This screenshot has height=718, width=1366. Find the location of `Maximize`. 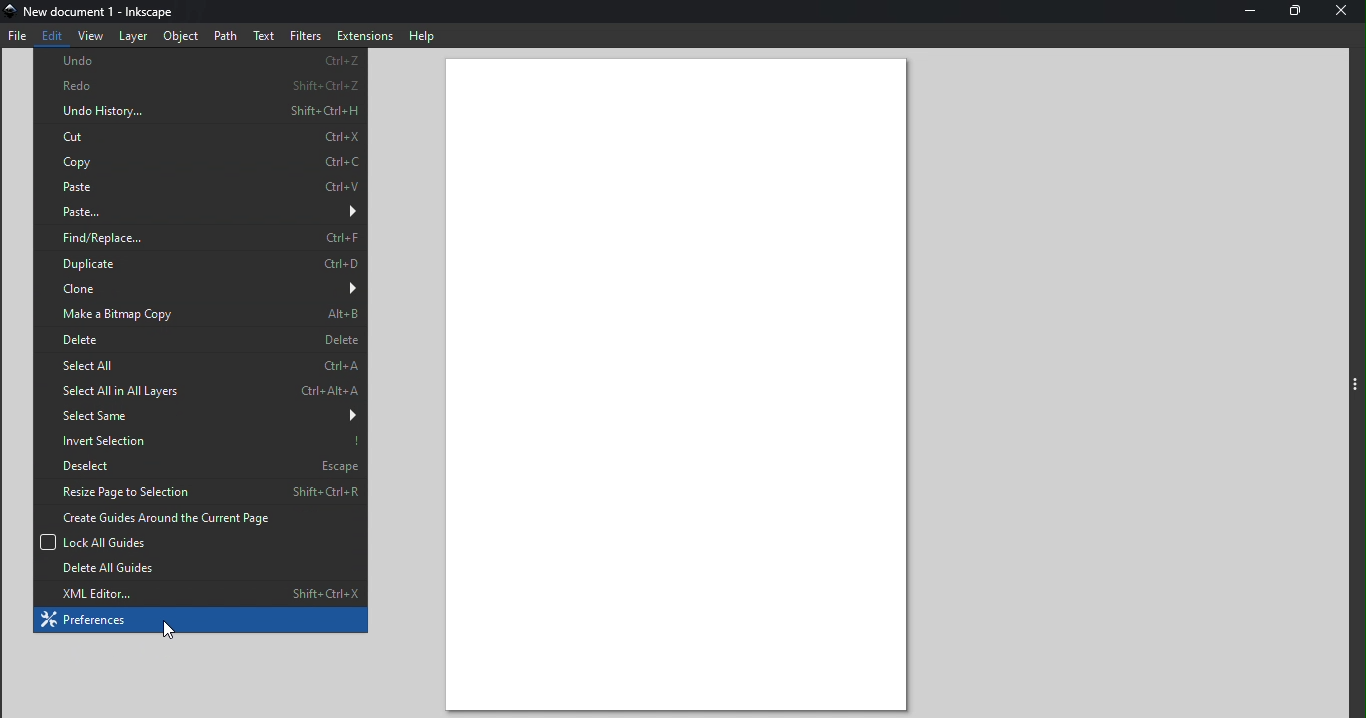

Maximize is located at coordinates (1293, 14).